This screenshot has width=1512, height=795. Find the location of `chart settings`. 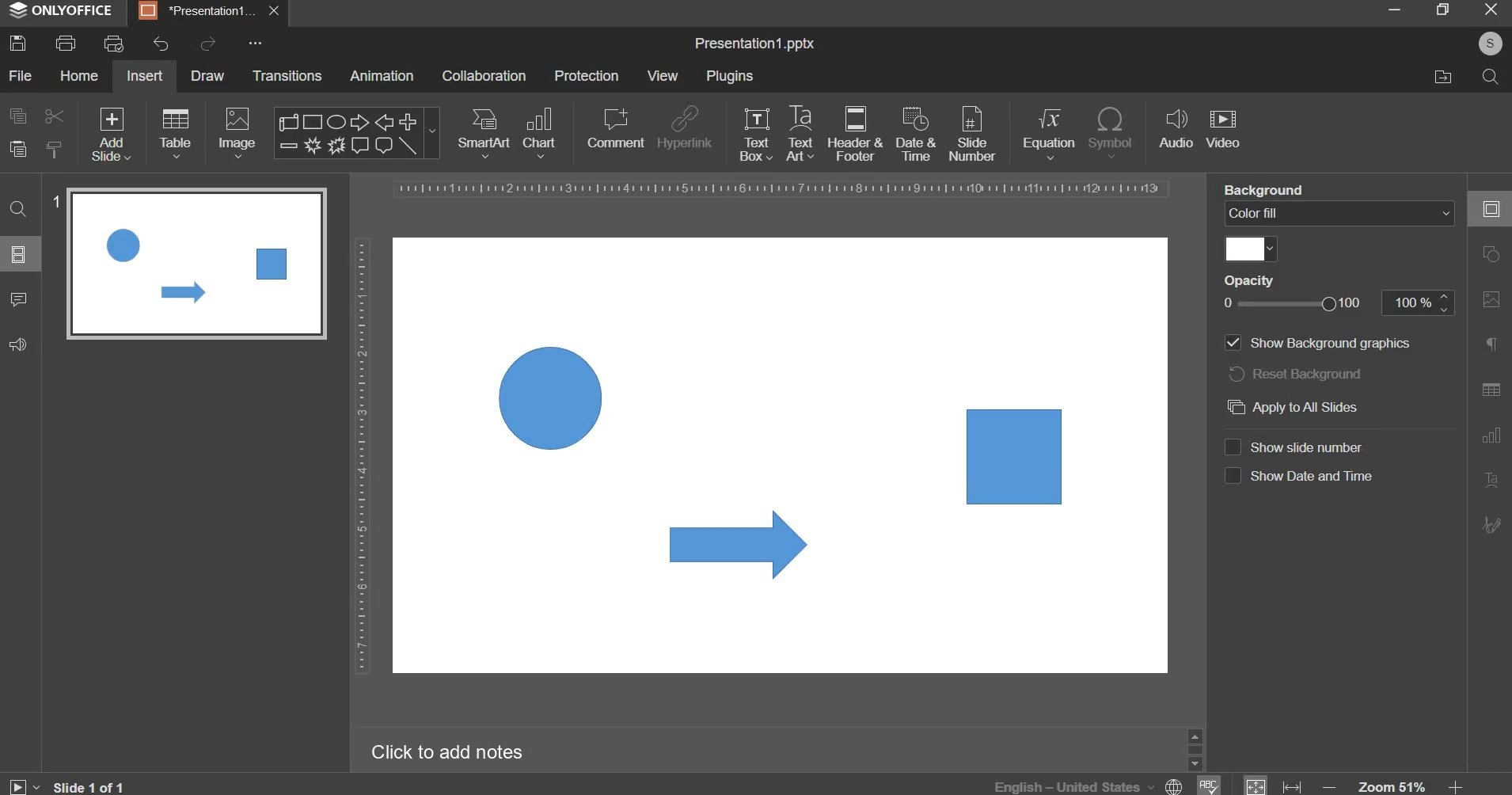

chart settings is located at coordinates (1487, 435).